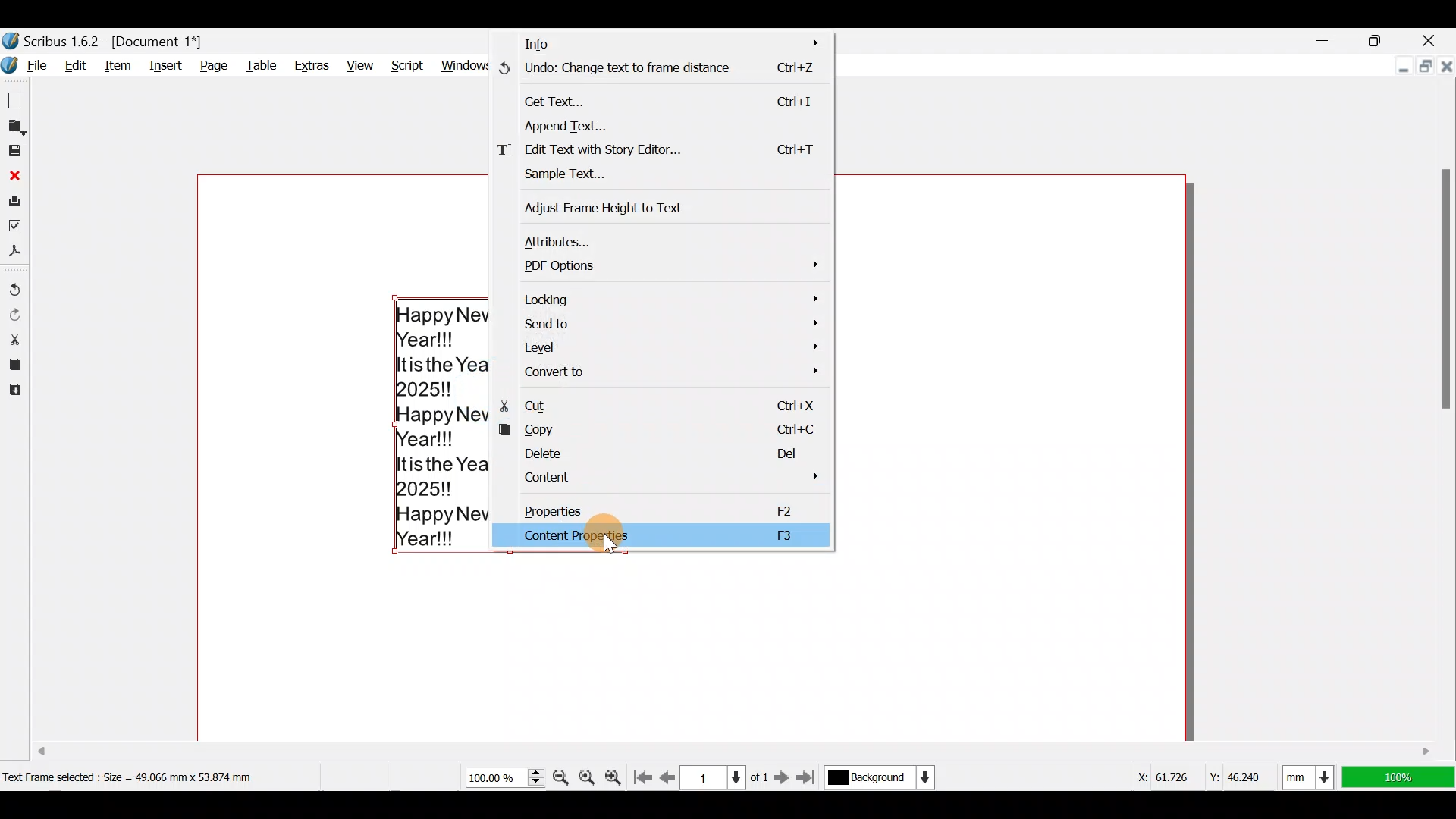 This screenshot has width=1456, height=819. What do you see at coordinates (1391, 67) in the screenshot?
I see `Minimize` at bounding box center [1391, 67].